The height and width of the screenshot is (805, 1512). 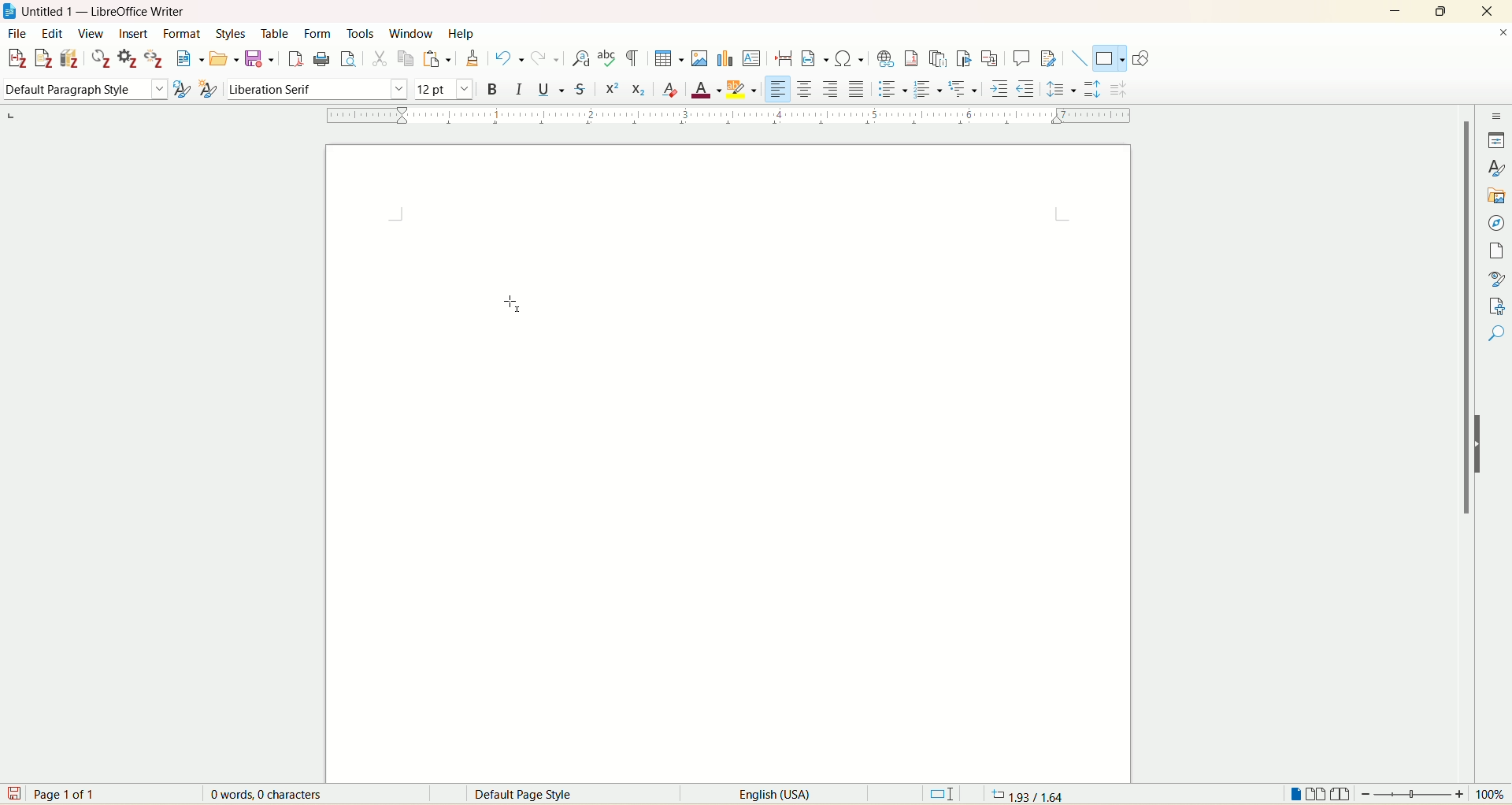 What do you see at coordinates (743, 87) in the screenshot?
I see `character highlighting` at bounding box center [743, 87].